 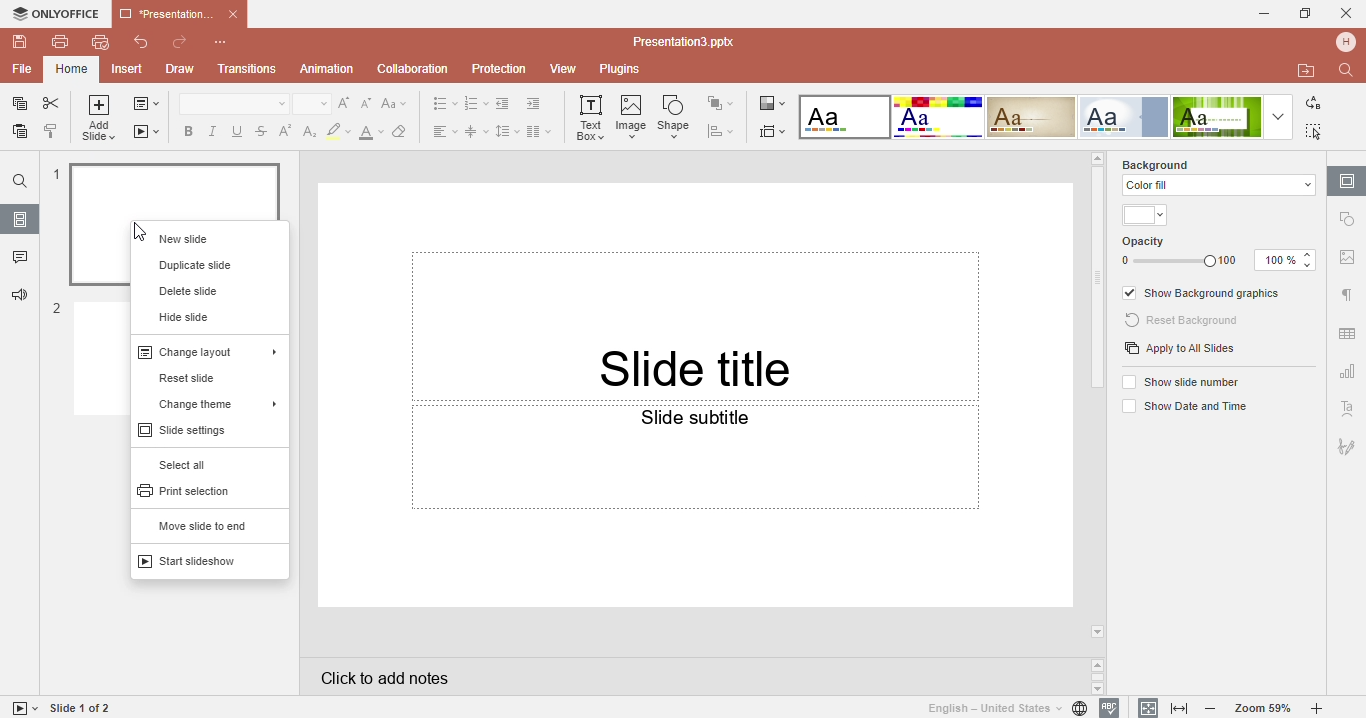 What do you see at coordinates (146, 106) in the screenshot?
I see `Change slide layout` at bounding box center [146, 106].